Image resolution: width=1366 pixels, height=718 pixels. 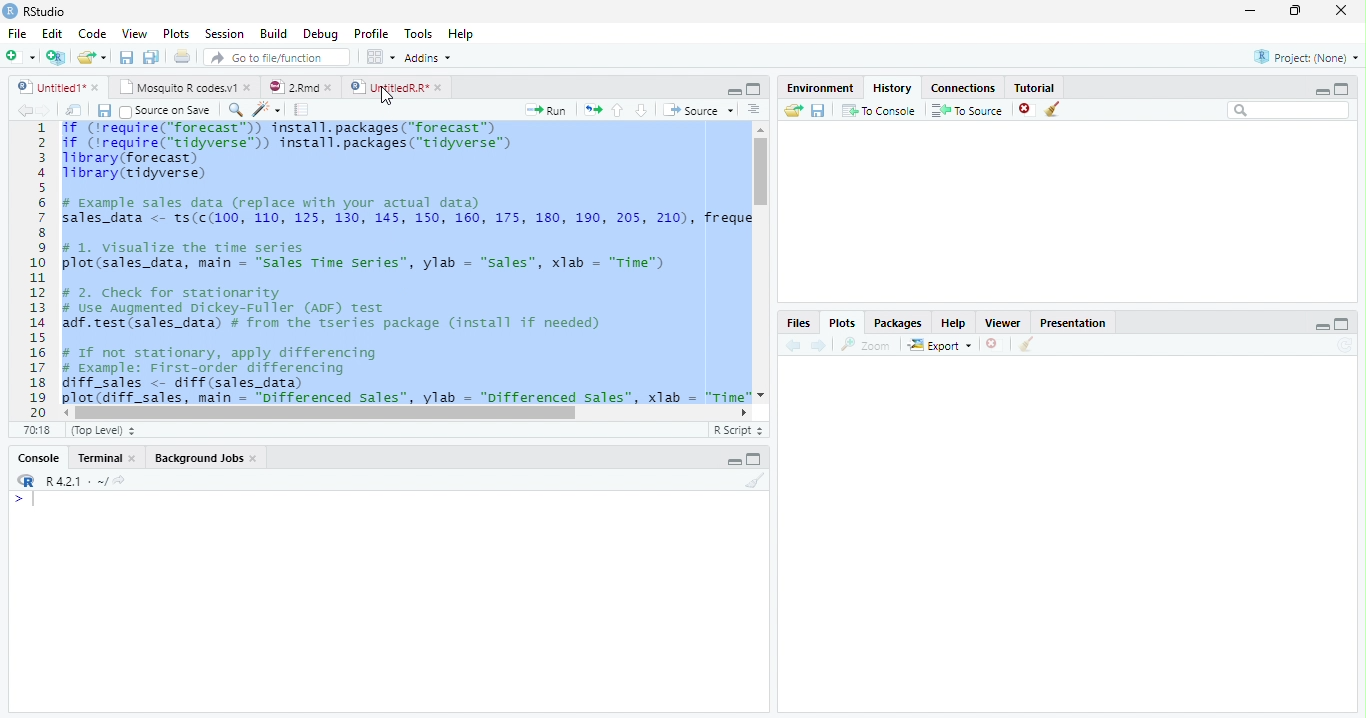 I want to click on 1:1, so click(x=40, y=430).